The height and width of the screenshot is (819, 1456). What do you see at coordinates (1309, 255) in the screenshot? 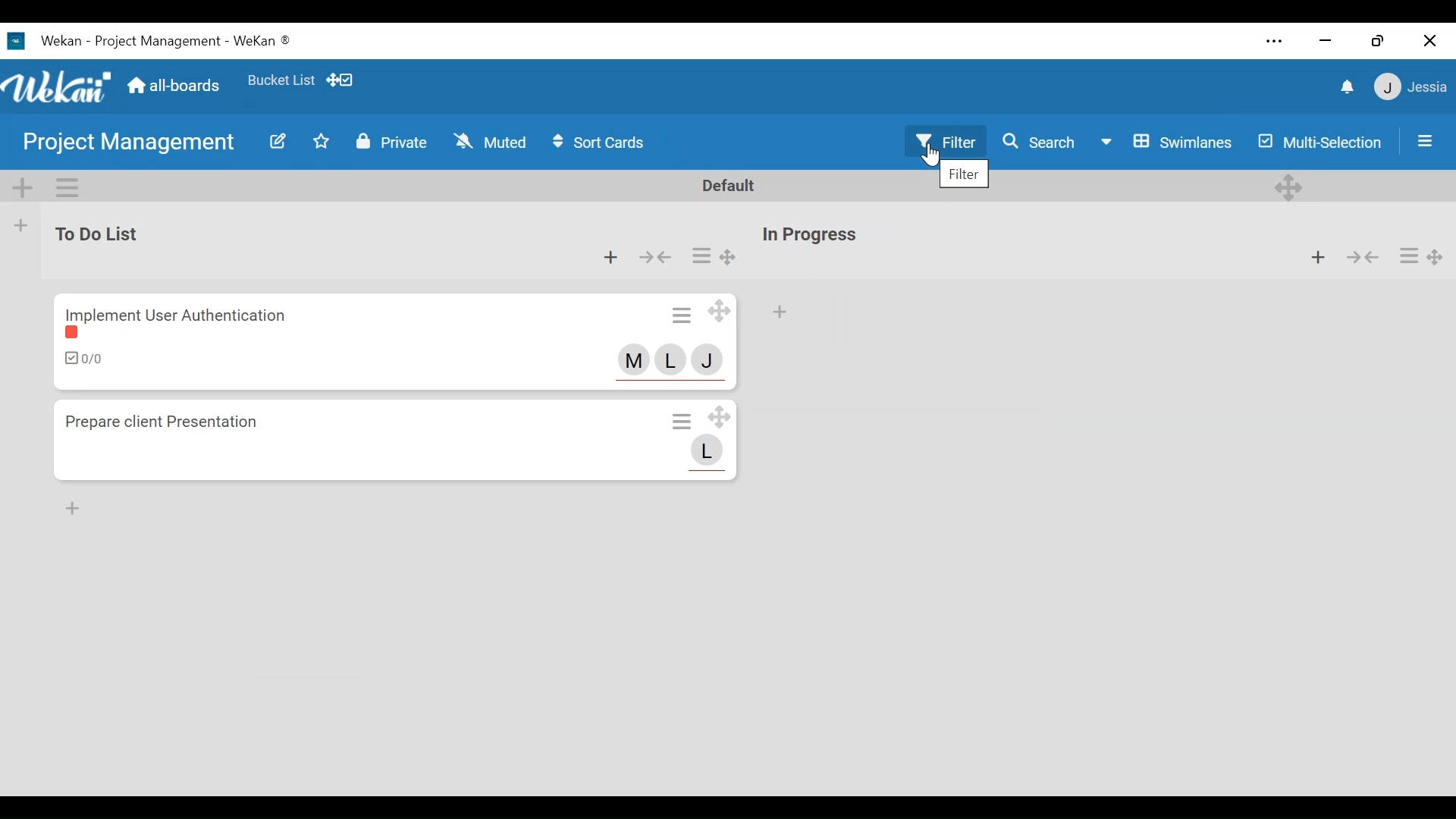
I see `Add card to top of the list` at bounding box center [1309, 255].